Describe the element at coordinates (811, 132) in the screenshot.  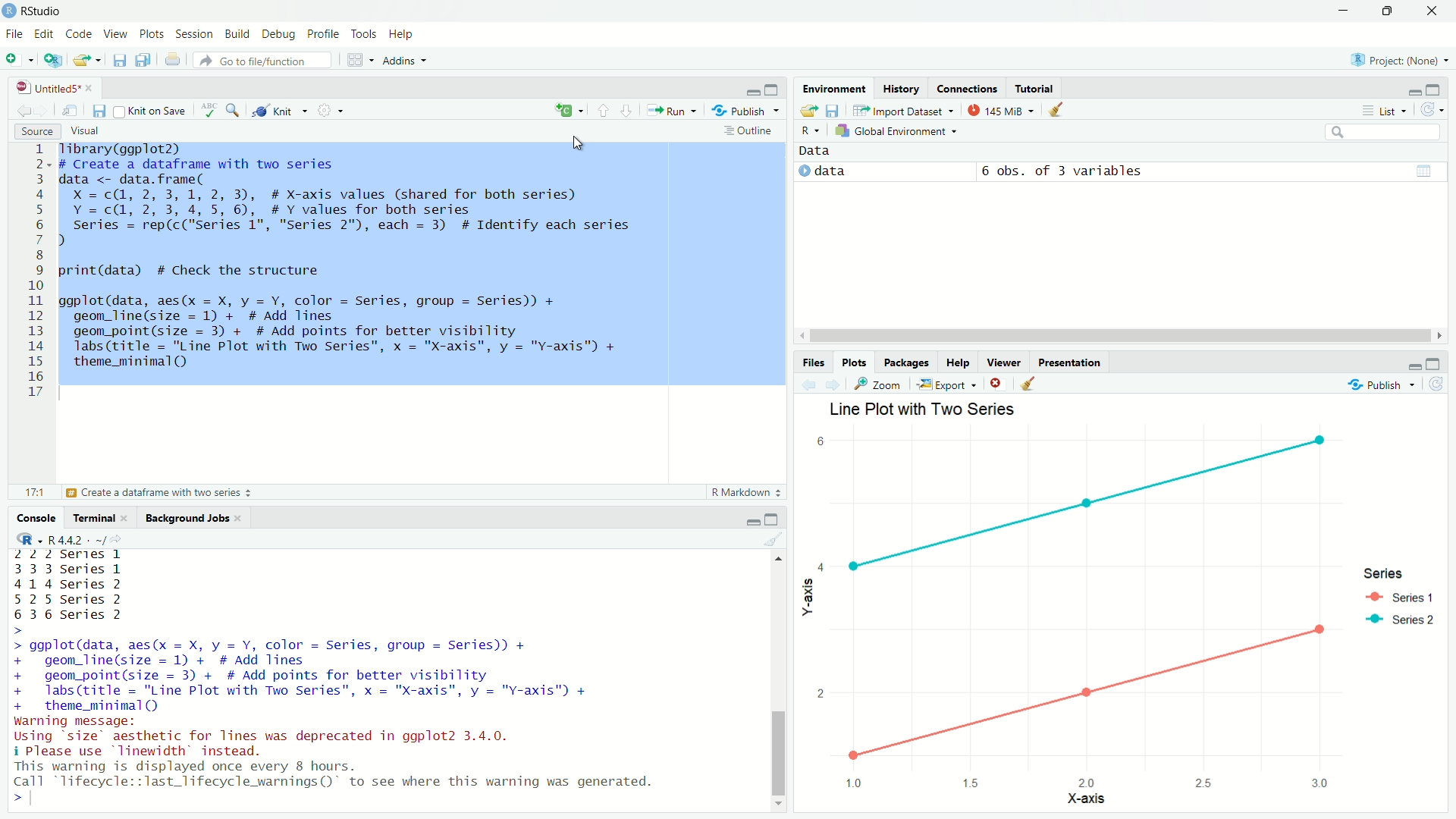
I see `R` at that location.